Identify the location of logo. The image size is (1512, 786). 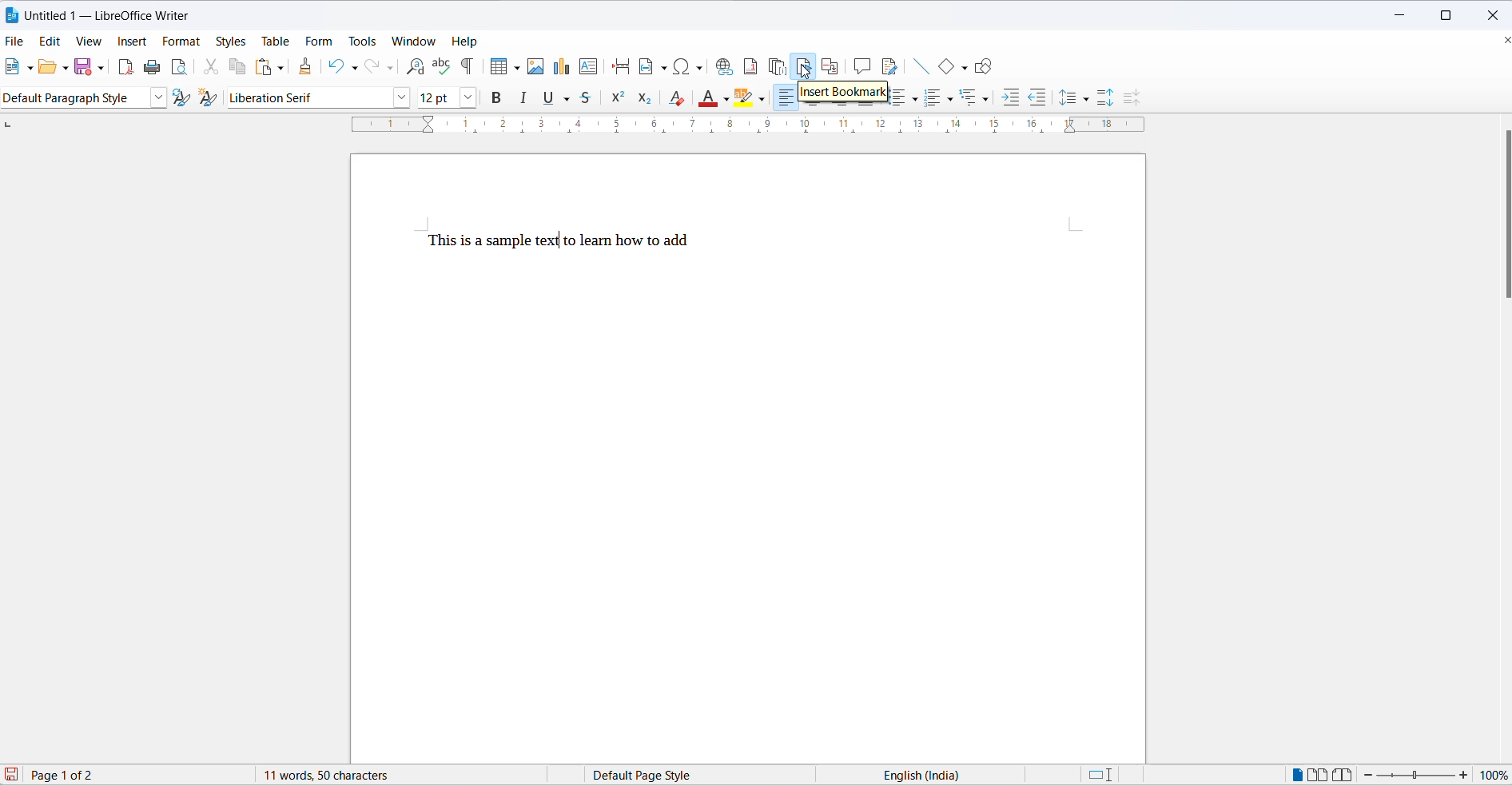
(13, 14).